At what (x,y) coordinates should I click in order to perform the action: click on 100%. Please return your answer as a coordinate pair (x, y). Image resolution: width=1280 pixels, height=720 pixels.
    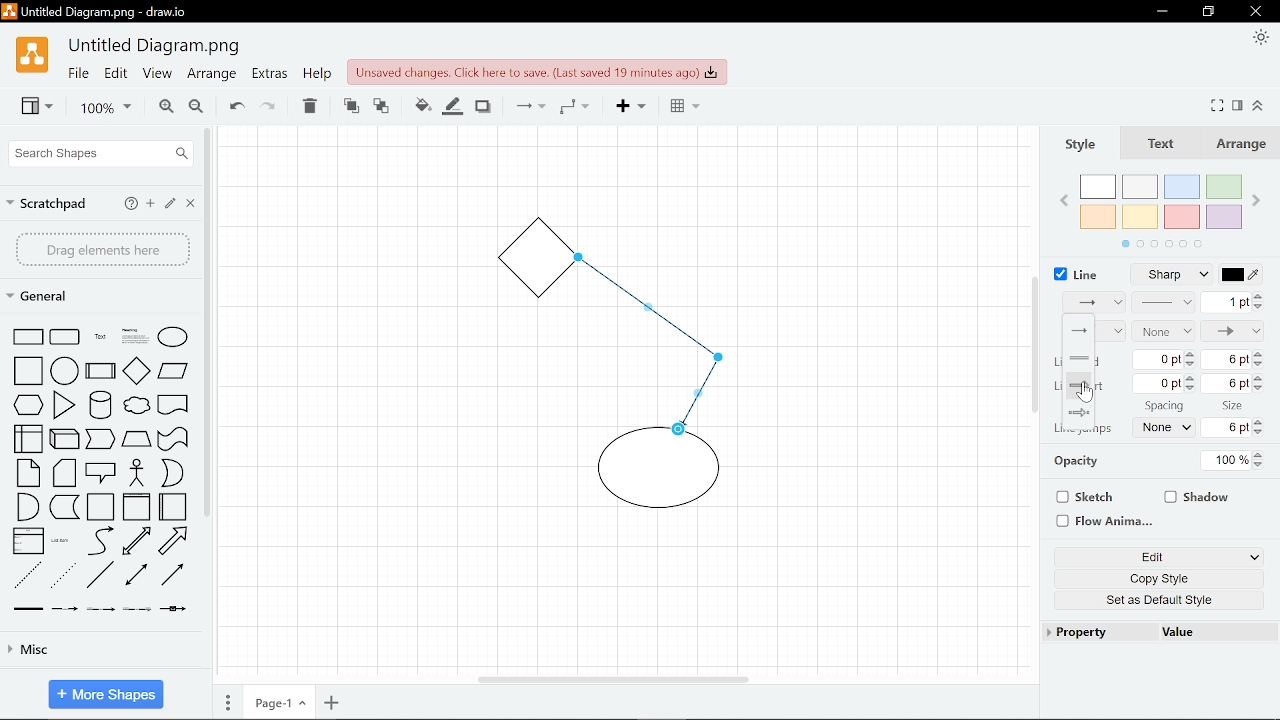
    Looking at the image, I should click on (1228, 459).